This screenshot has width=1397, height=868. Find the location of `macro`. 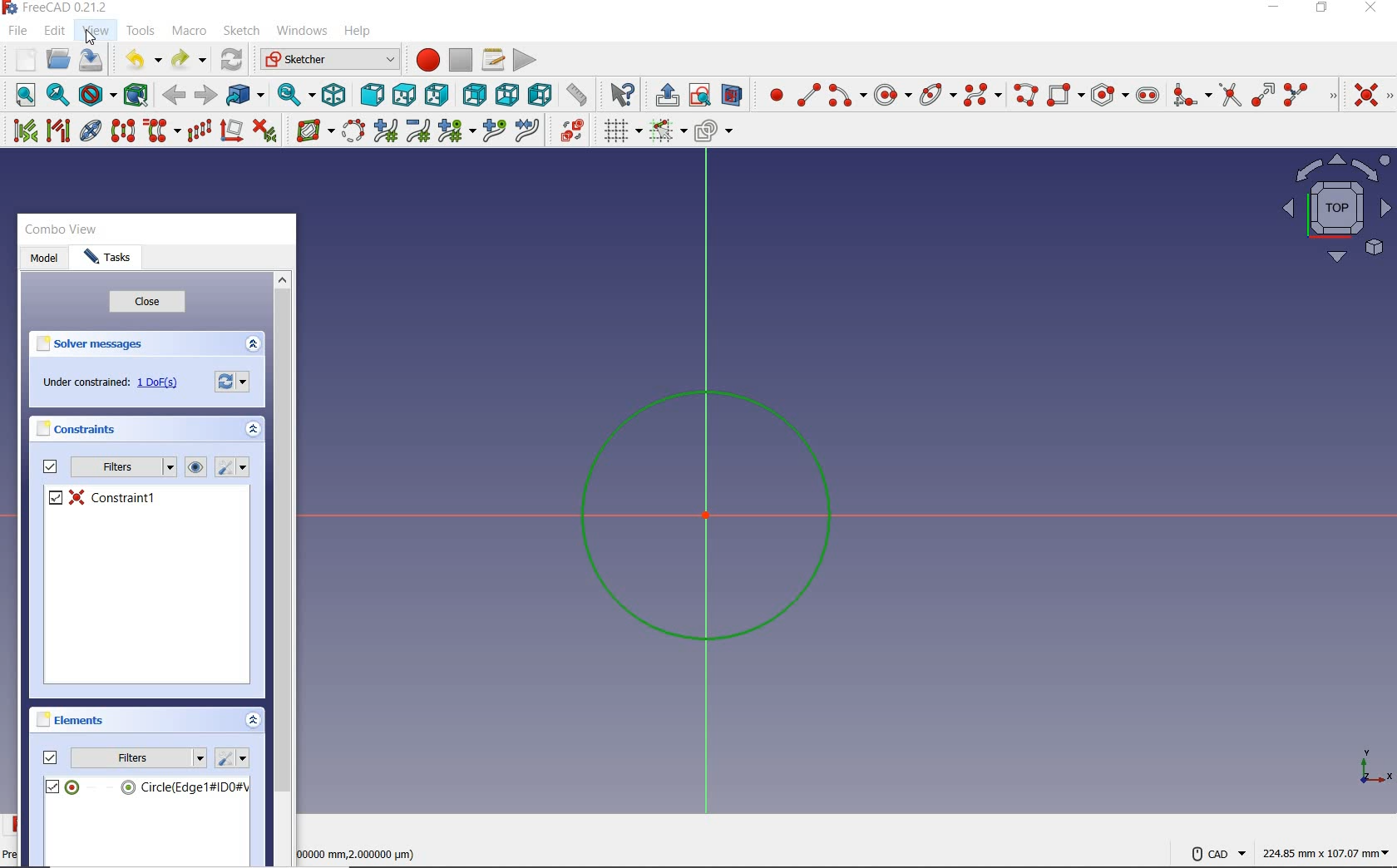

macro is located at coordinates (189, 31).